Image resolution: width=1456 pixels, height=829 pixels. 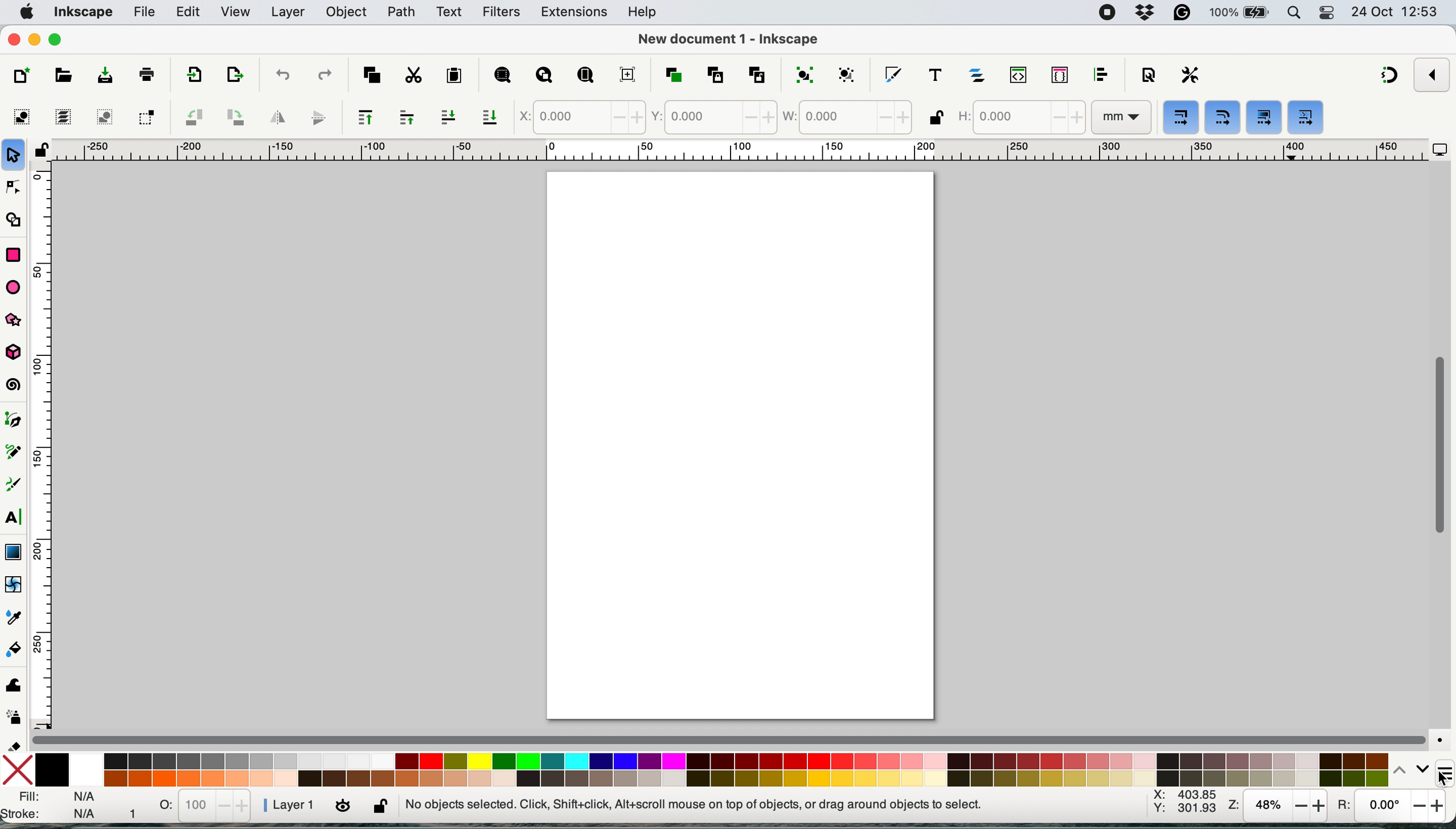 What do you see at coordinates (578, 118) in the screenshot?
I see `x coordinate` at bounding box center [578, 118].